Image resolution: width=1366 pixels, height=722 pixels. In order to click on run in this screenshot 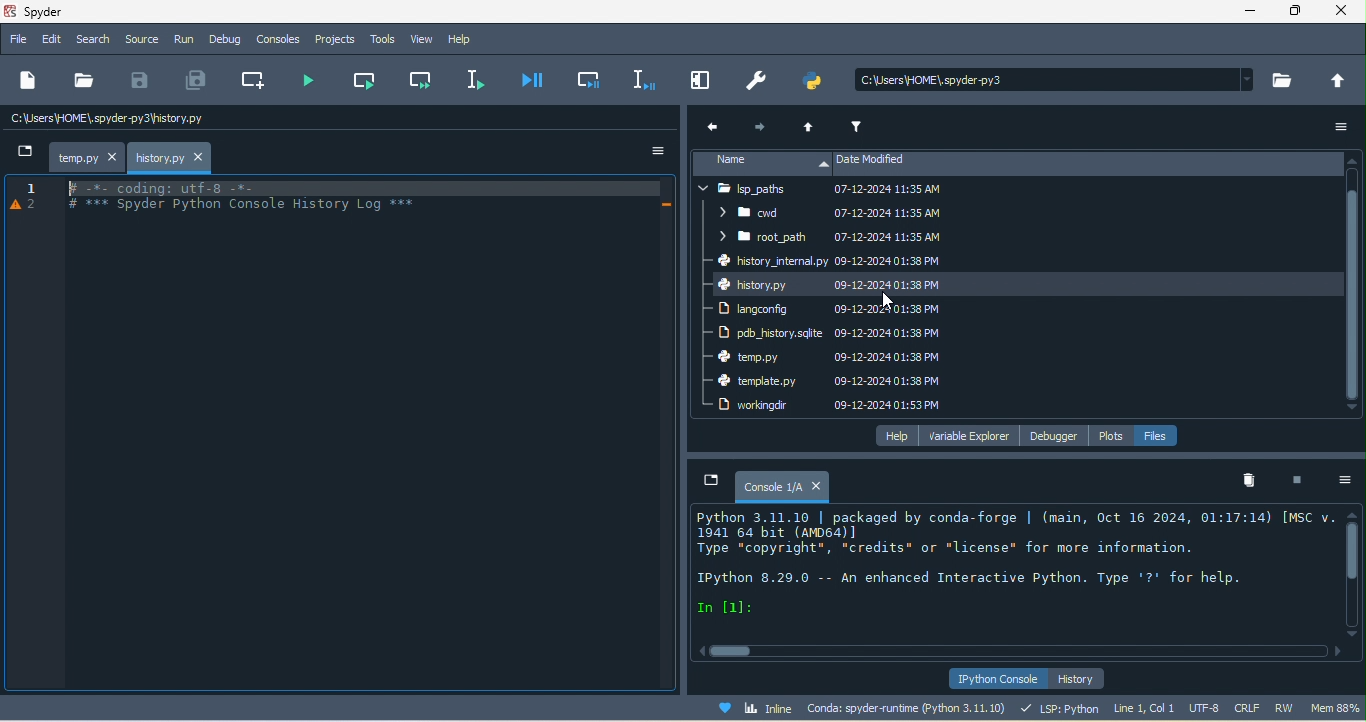, I will do `click(181, 38)`.